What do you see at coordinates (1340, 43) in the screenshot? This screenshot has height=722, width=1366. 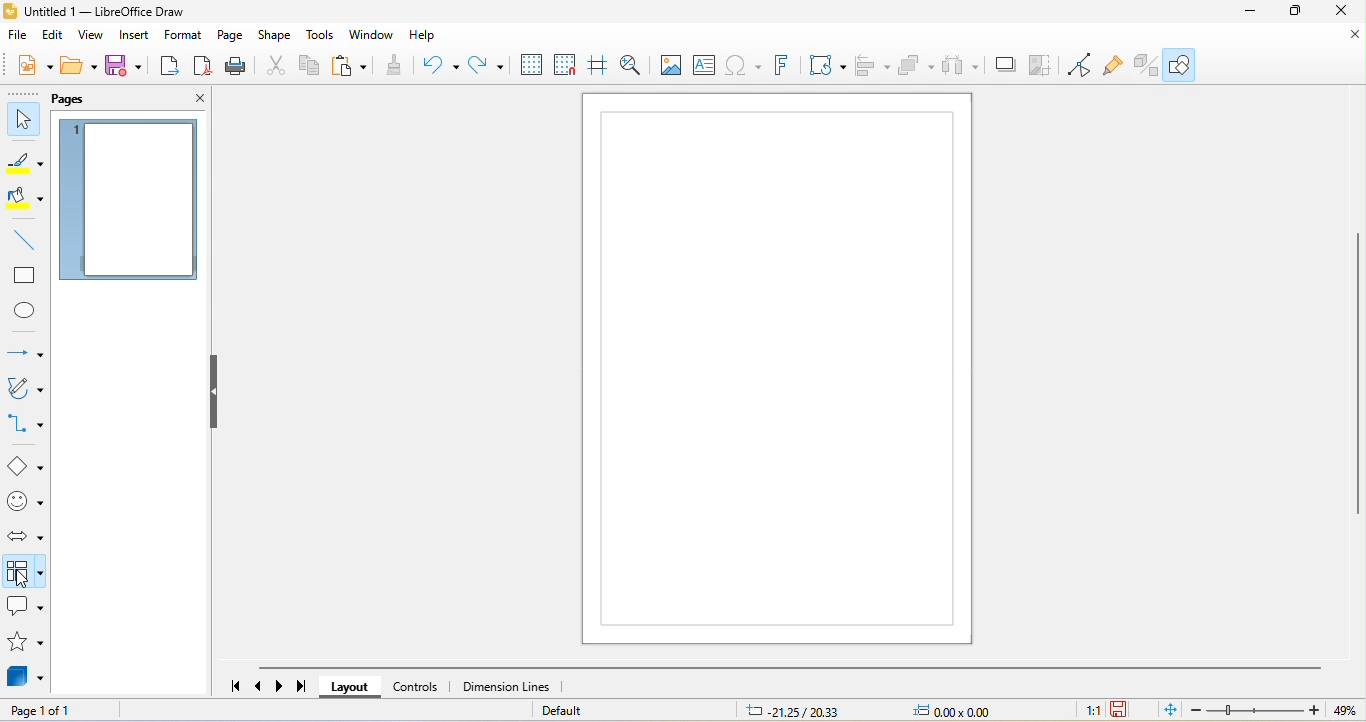 I see `close` at bounding box center [1340, 43].